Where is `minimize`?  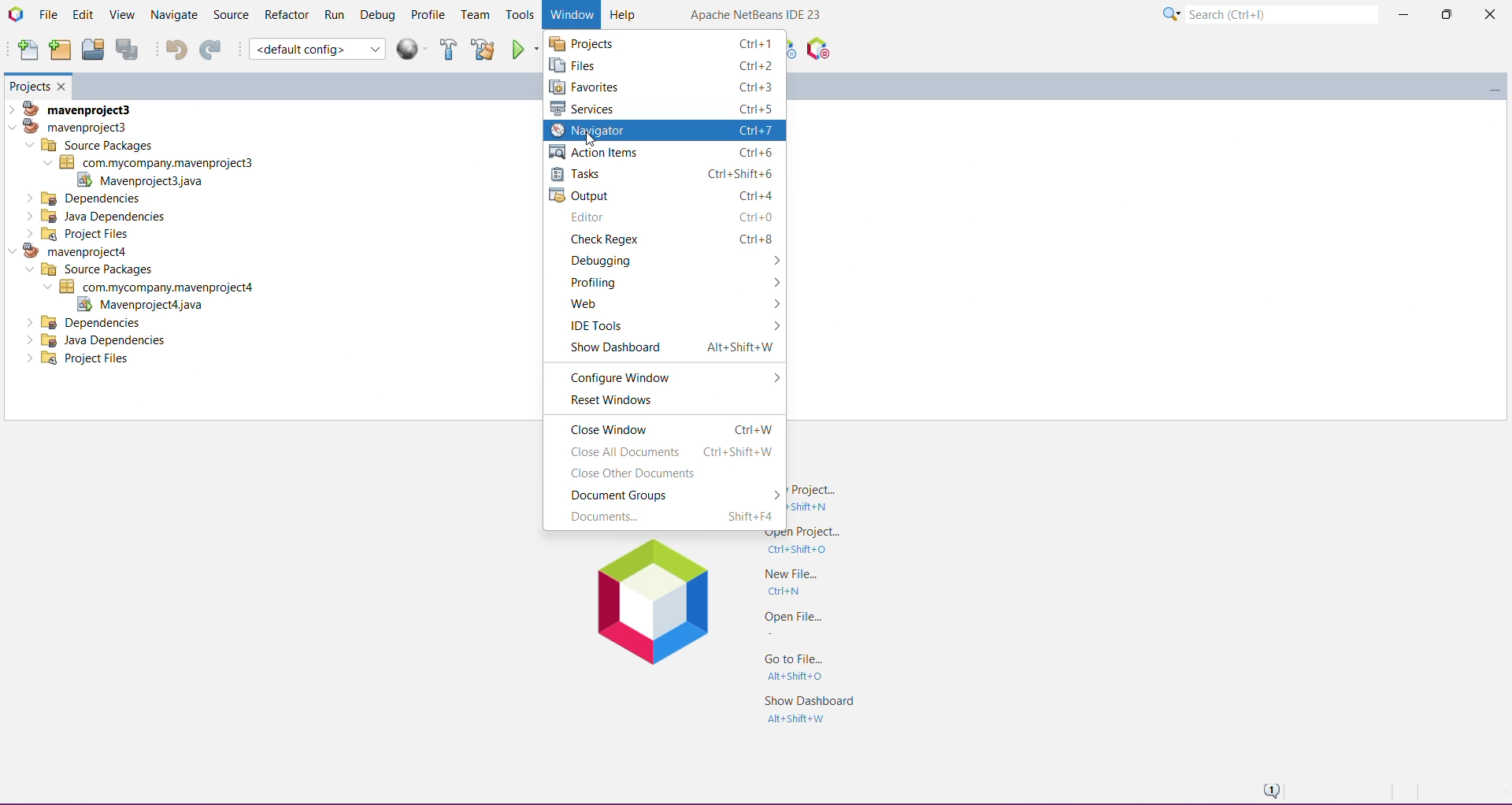
minimize is located at coordinates (1489, 84).